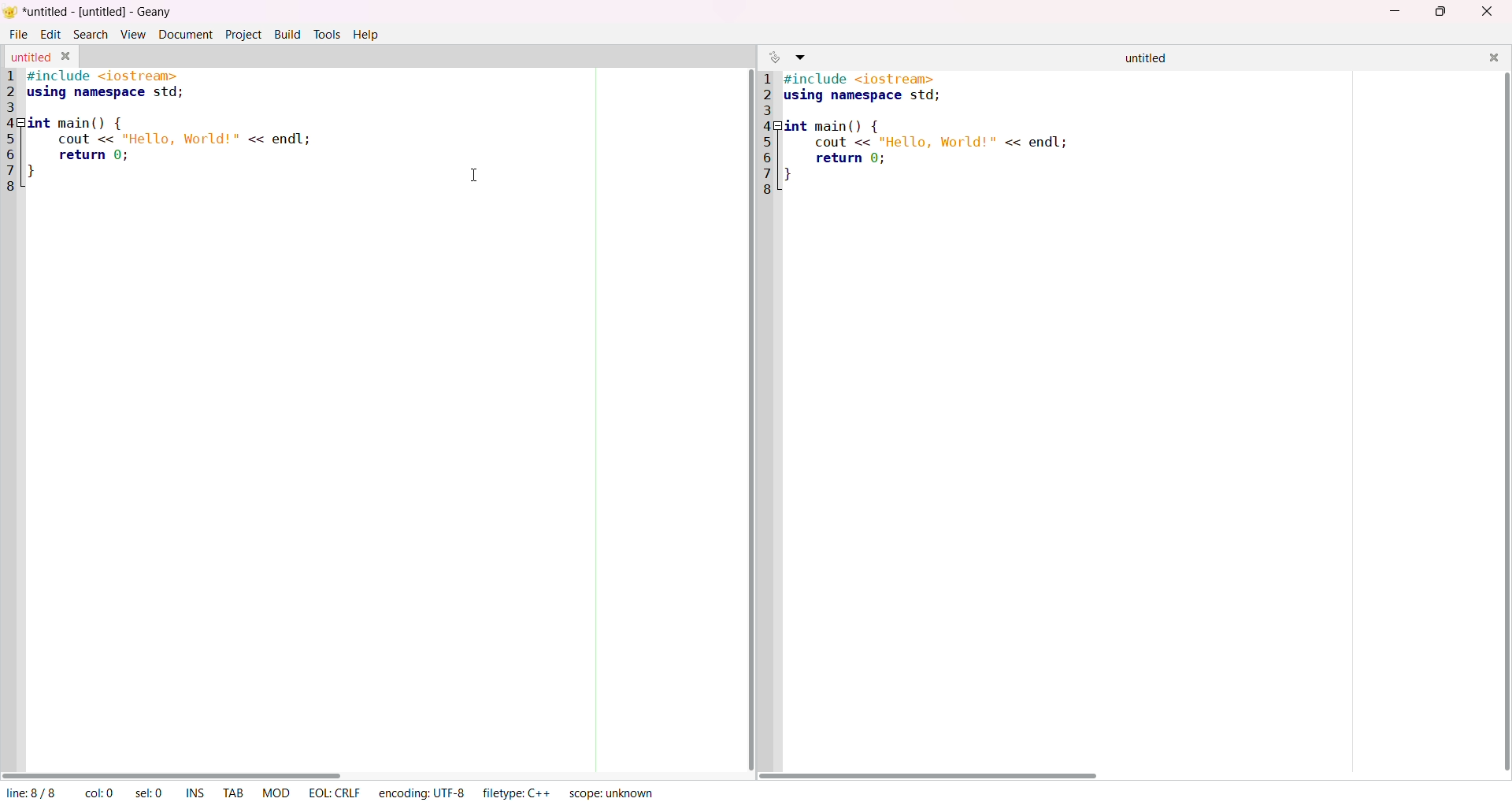 The height and width of the screenshot is (802, 1512). What do you see at coordinates (520, 794) in the screenshot?
I see `filetype: C++` at bounding box center [520, 794].